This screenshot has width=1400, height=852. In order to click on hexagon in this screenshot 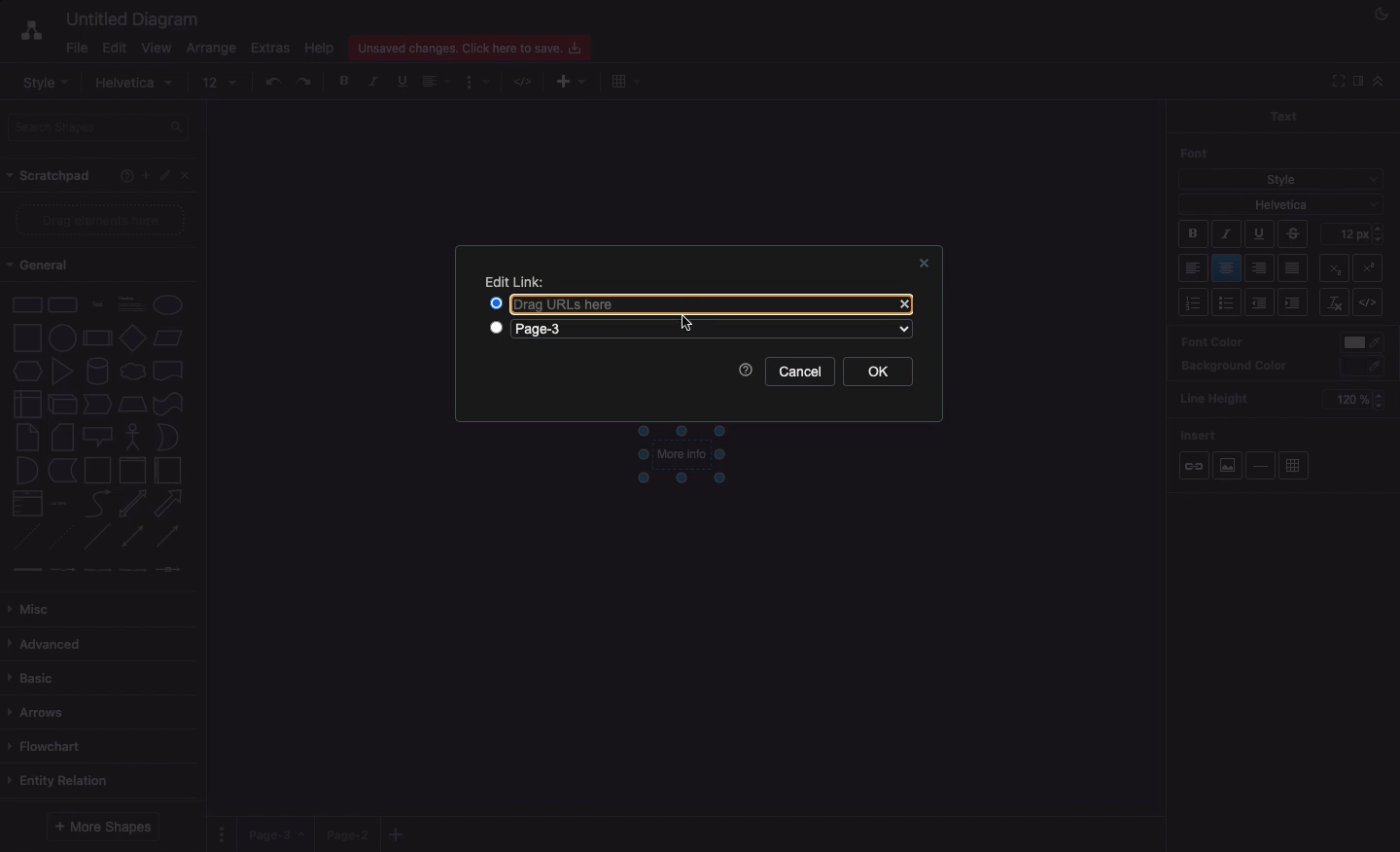, I will do `click(28, 372)`.